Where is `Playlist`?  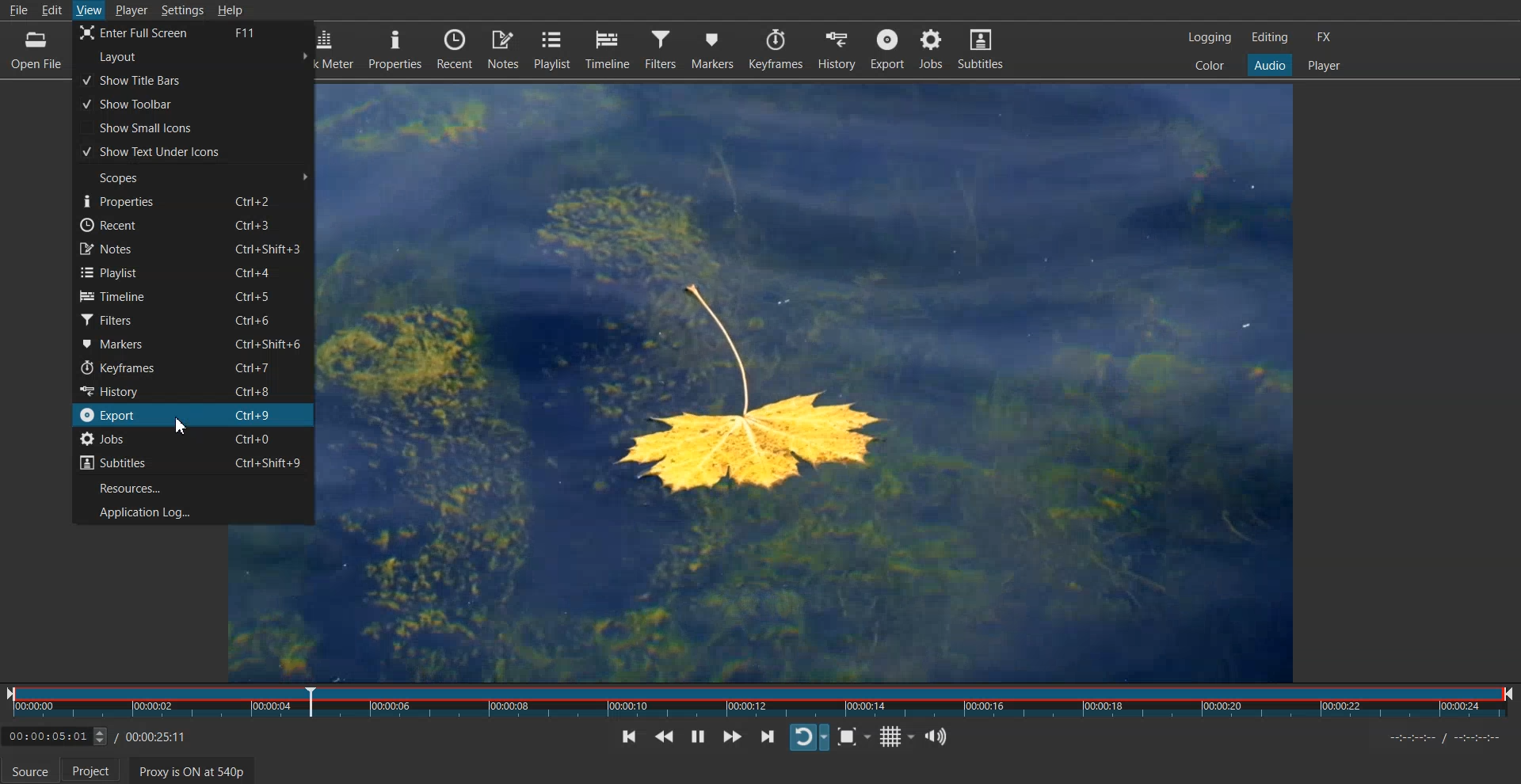 Playlist is located at coordinates (553, 49).